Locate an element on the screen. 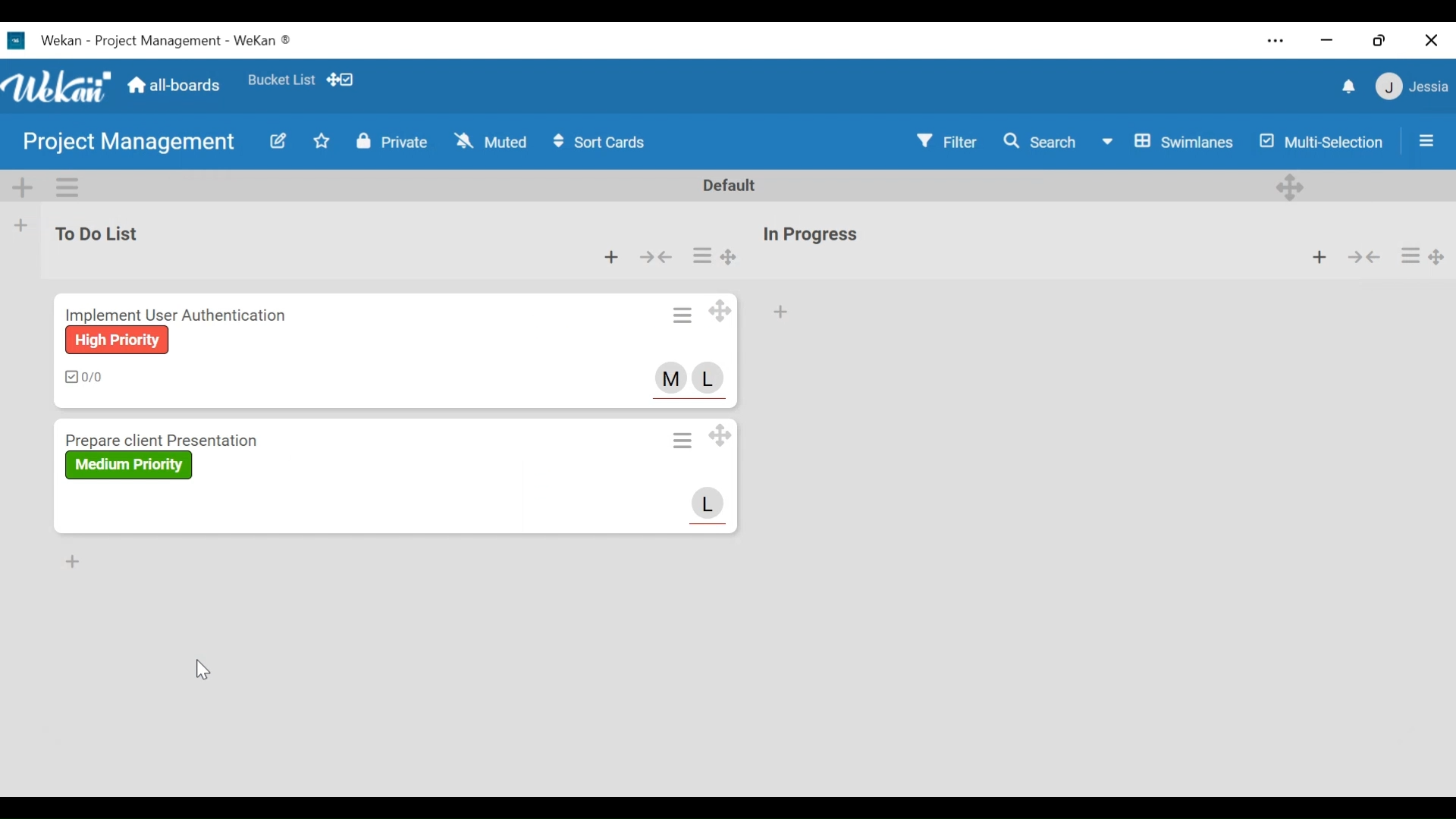 This screenshot has width=1456, height=819. Add card to top of the list is located at coordinates (609, 257).